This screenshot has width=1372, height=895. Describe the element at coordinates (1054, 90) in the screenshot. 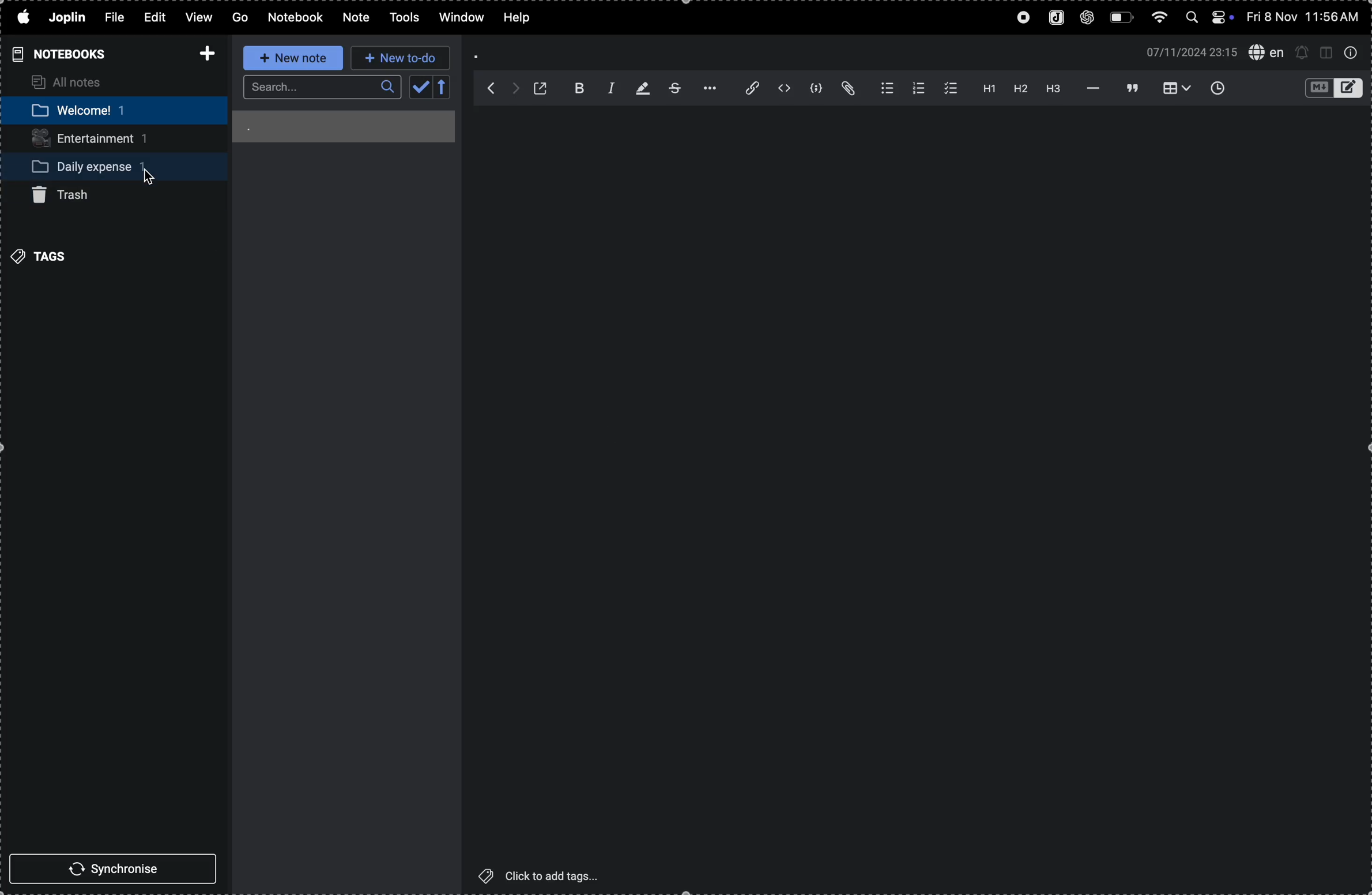

I see `heading 3` at that location.